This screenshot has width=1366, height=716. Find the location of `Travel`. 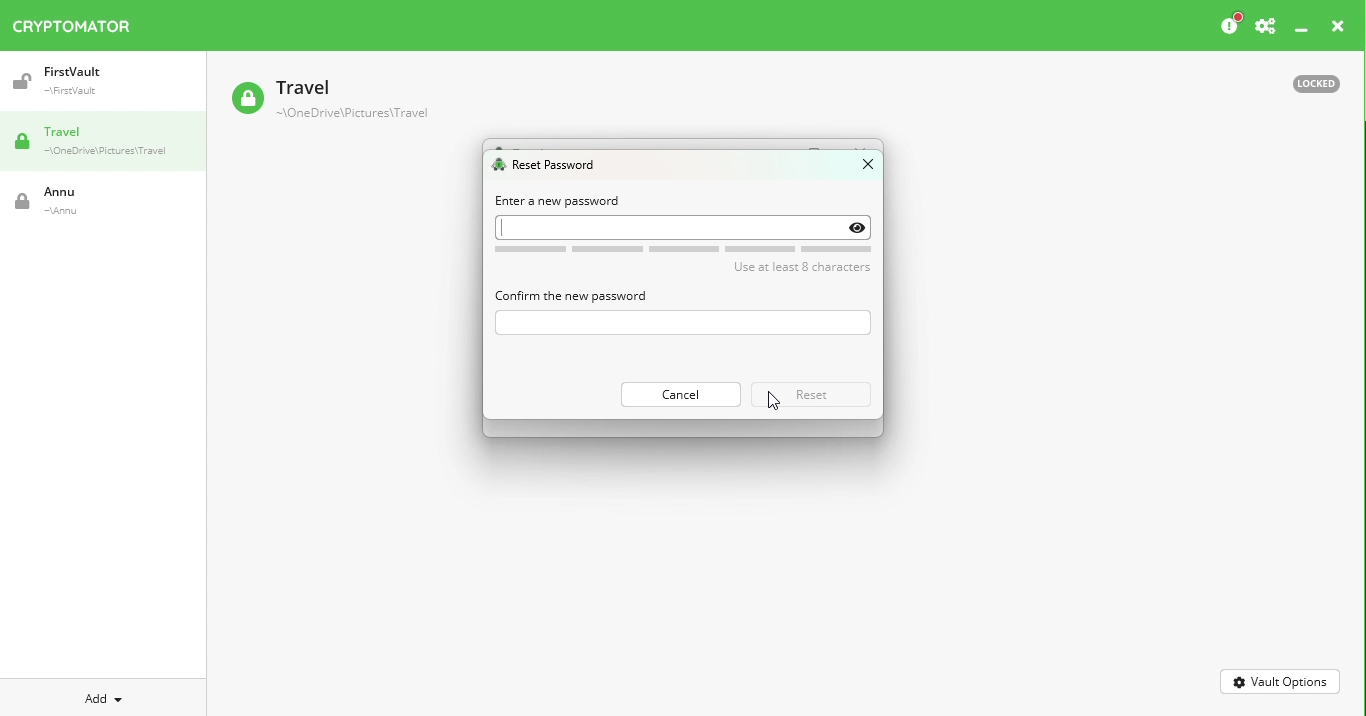

Travel is located at coordinates (110, 143).